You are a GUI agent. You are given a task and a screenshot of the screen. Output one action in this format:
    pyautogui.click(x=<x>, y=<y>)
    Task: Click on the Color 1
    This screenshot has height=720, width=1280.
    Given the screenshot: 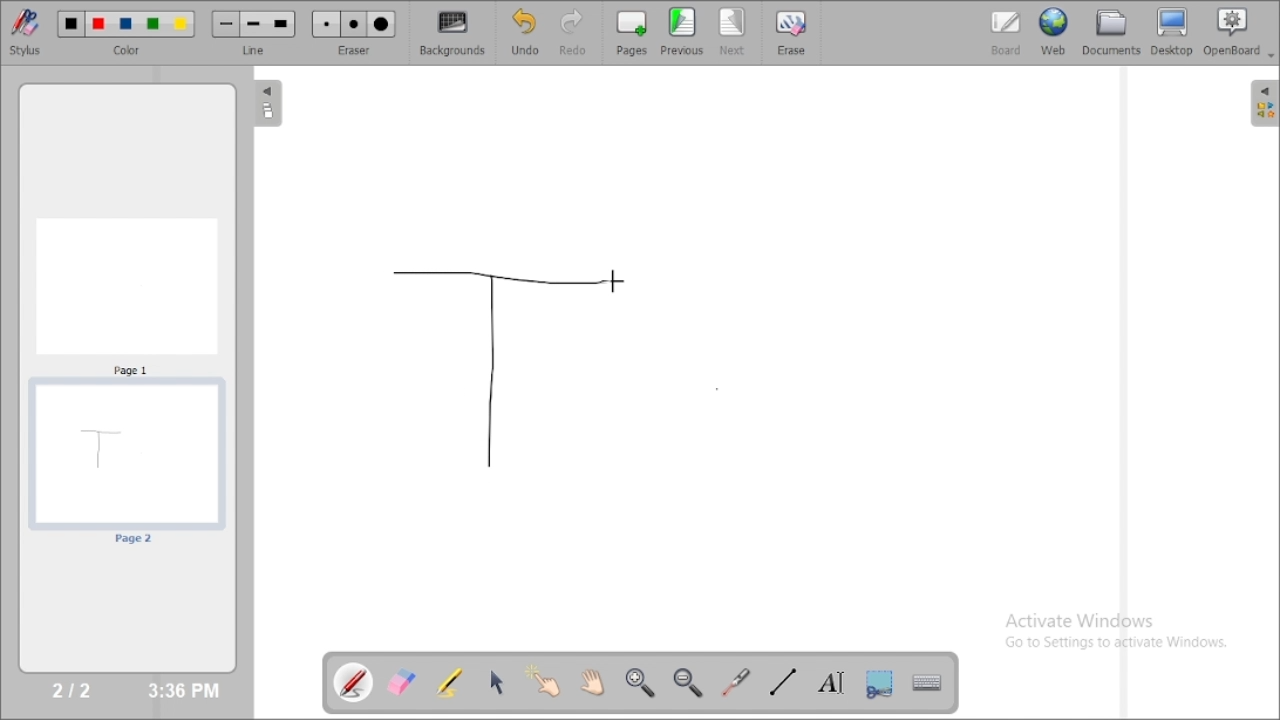 What is the action you would take?
    pyautogui.click(x=72, y=25)
    